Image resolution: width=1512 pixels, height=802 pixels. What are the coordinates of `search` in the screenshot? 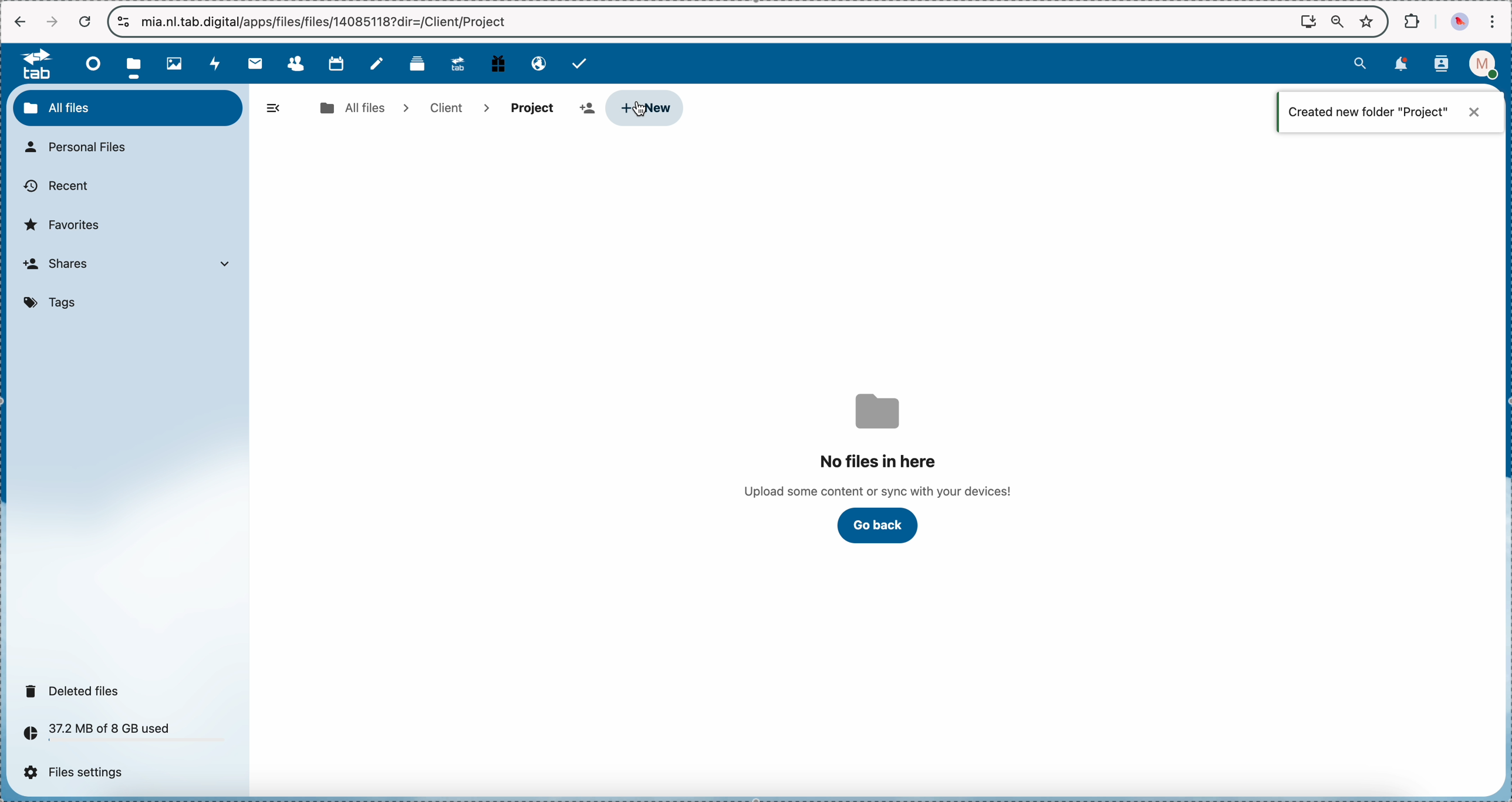 It's located at (1360, 62).